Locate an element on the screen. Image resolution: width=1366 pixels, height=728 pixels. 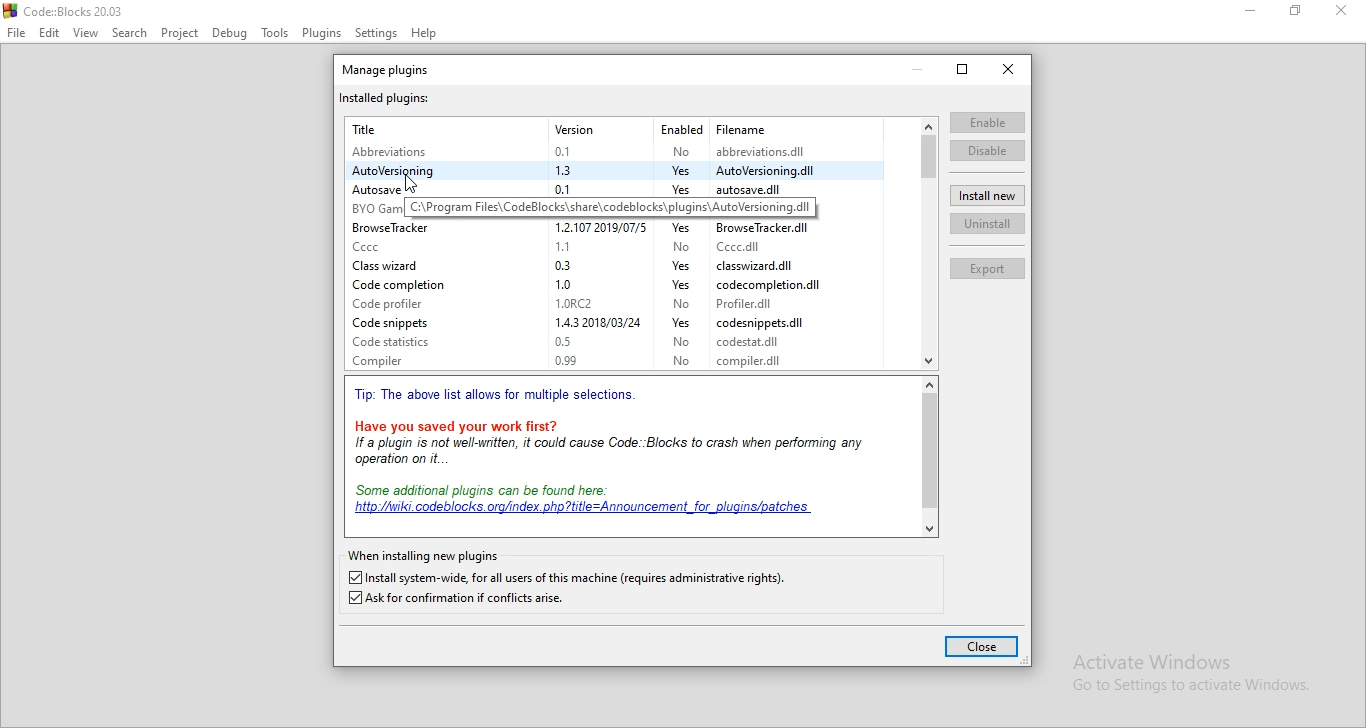
Profiler.dll is located at coordinates (757, 303).